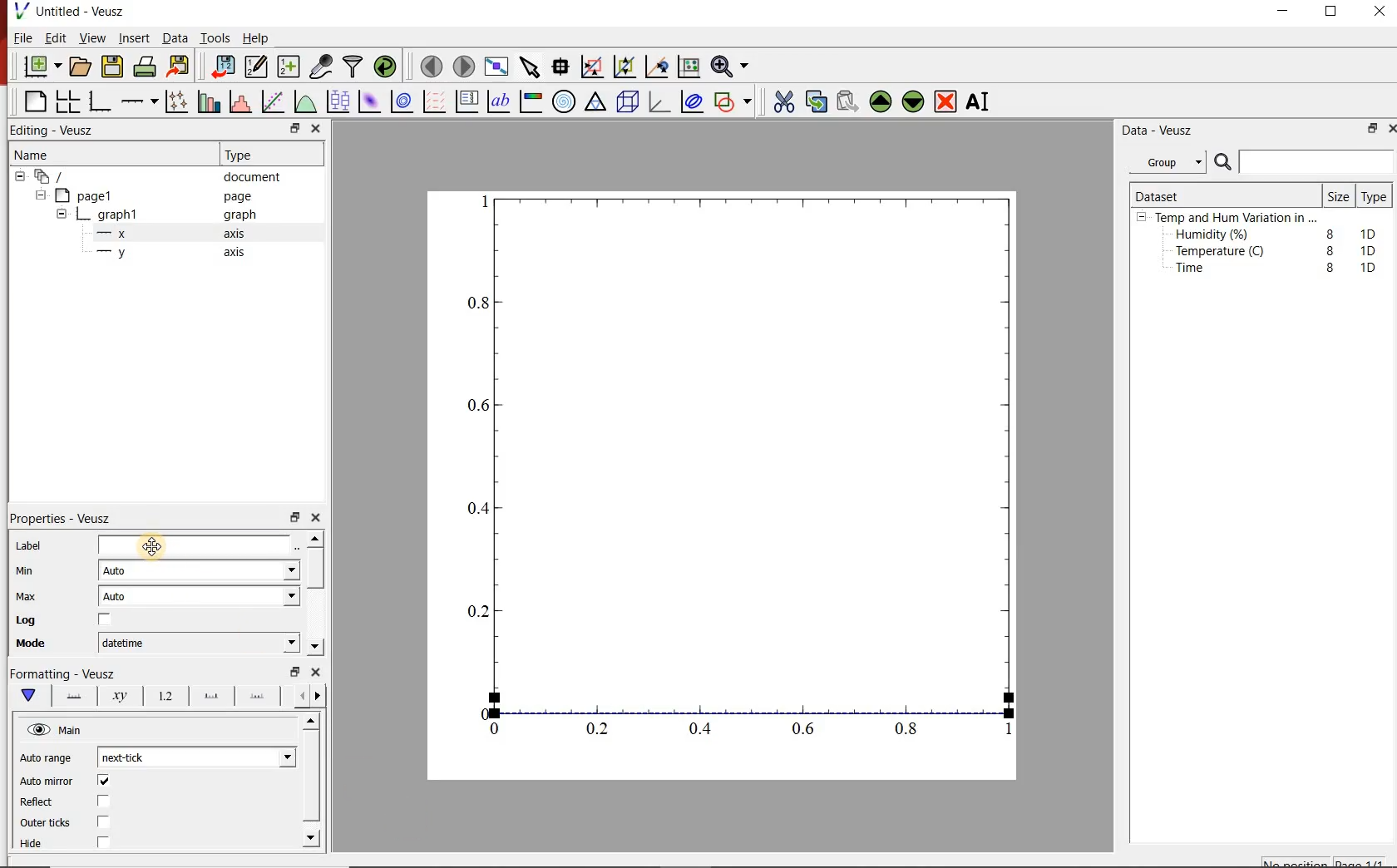 Image resolution: width=1397 pixels, height=868 pixels. I want to click on Log, so click(77, 621).